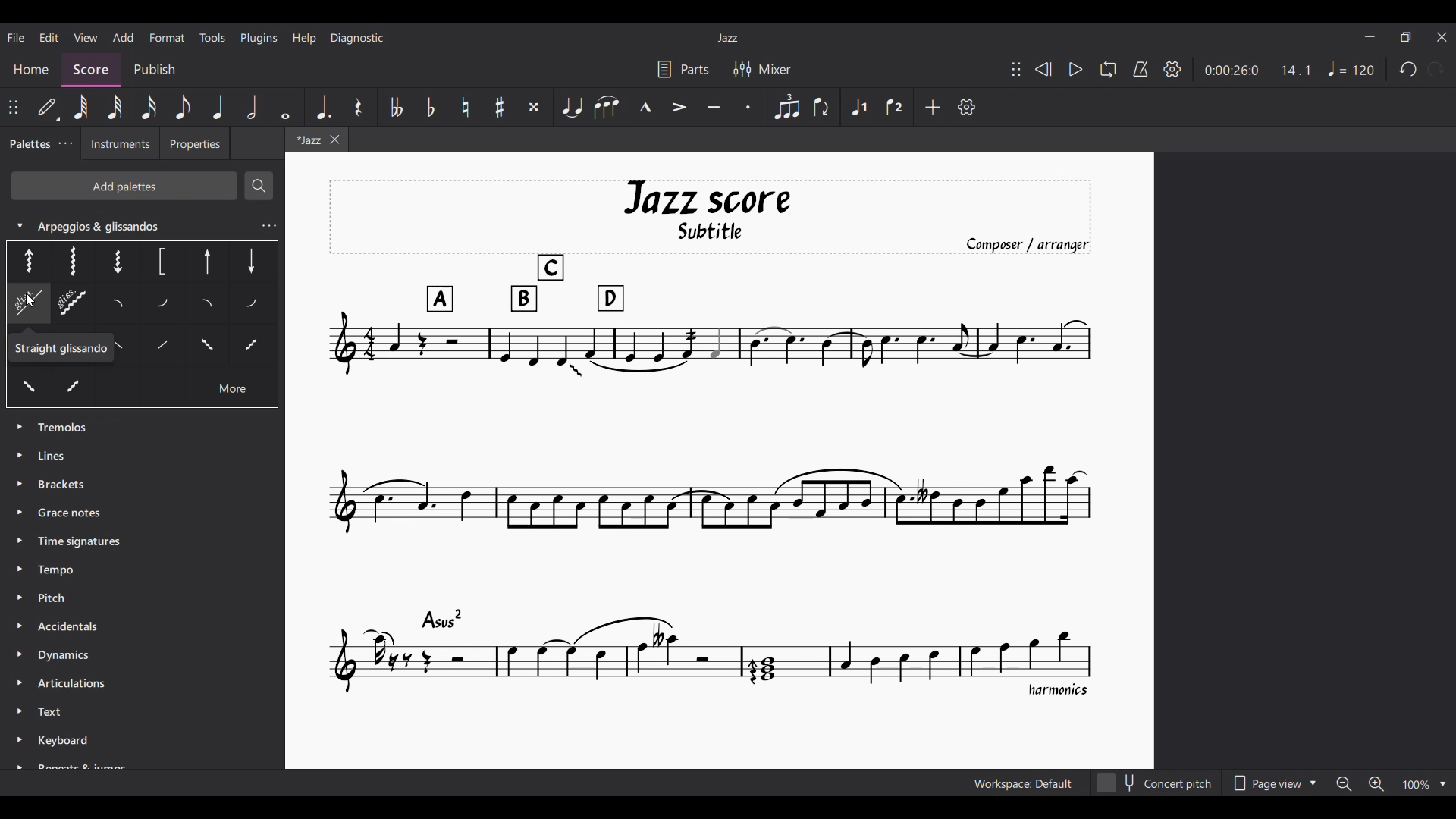 This screenshot has height=819, width=1456. Describe the element at coordinates (204, 348) in the screenshot. I see `Palate 16` at that location.